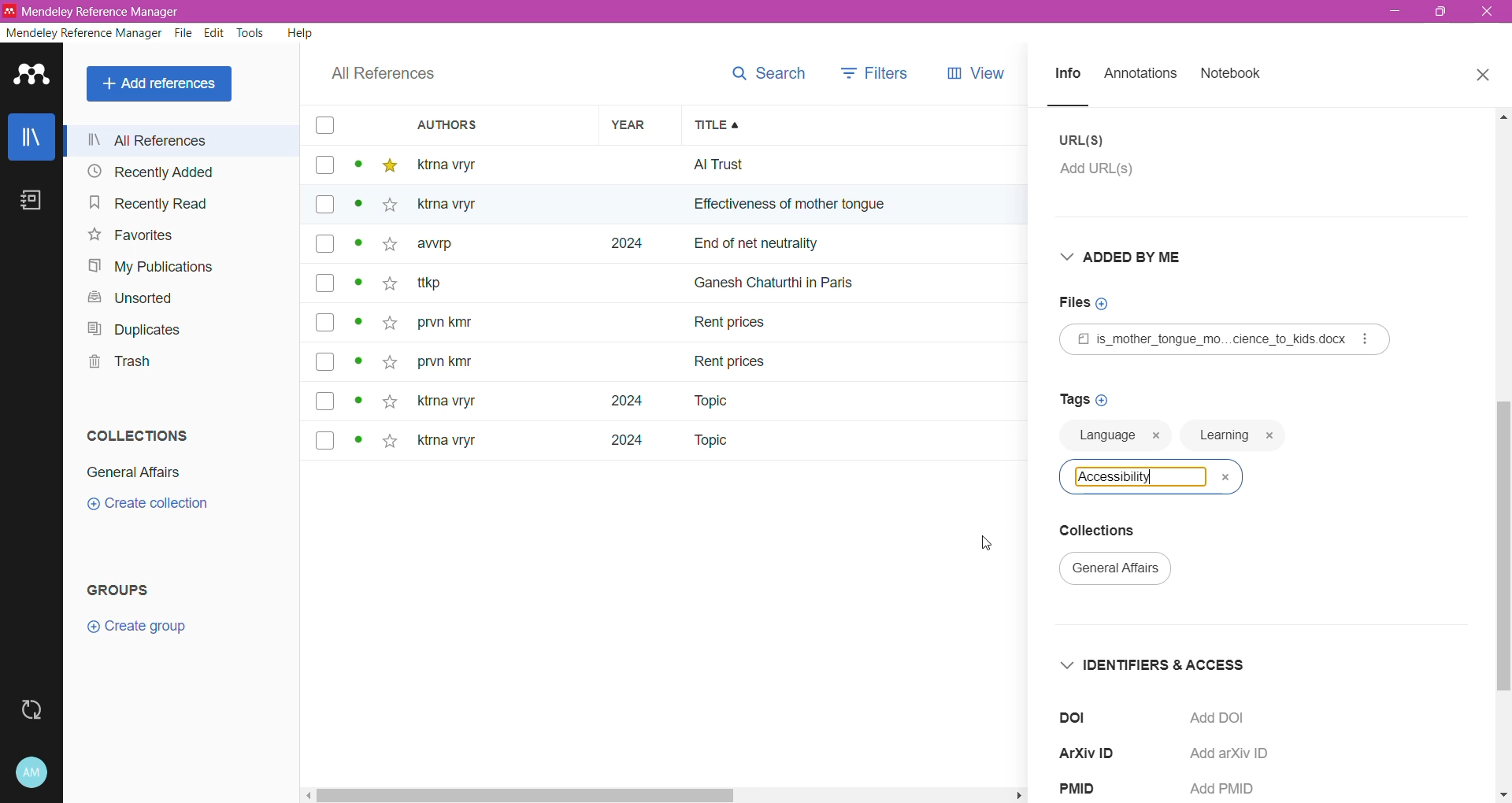 The width and height of the screenshot is (1512, 803). Describe the element at coordinates (1229, 719) in the screenshot. I see `Click to Add DOI` at that location.